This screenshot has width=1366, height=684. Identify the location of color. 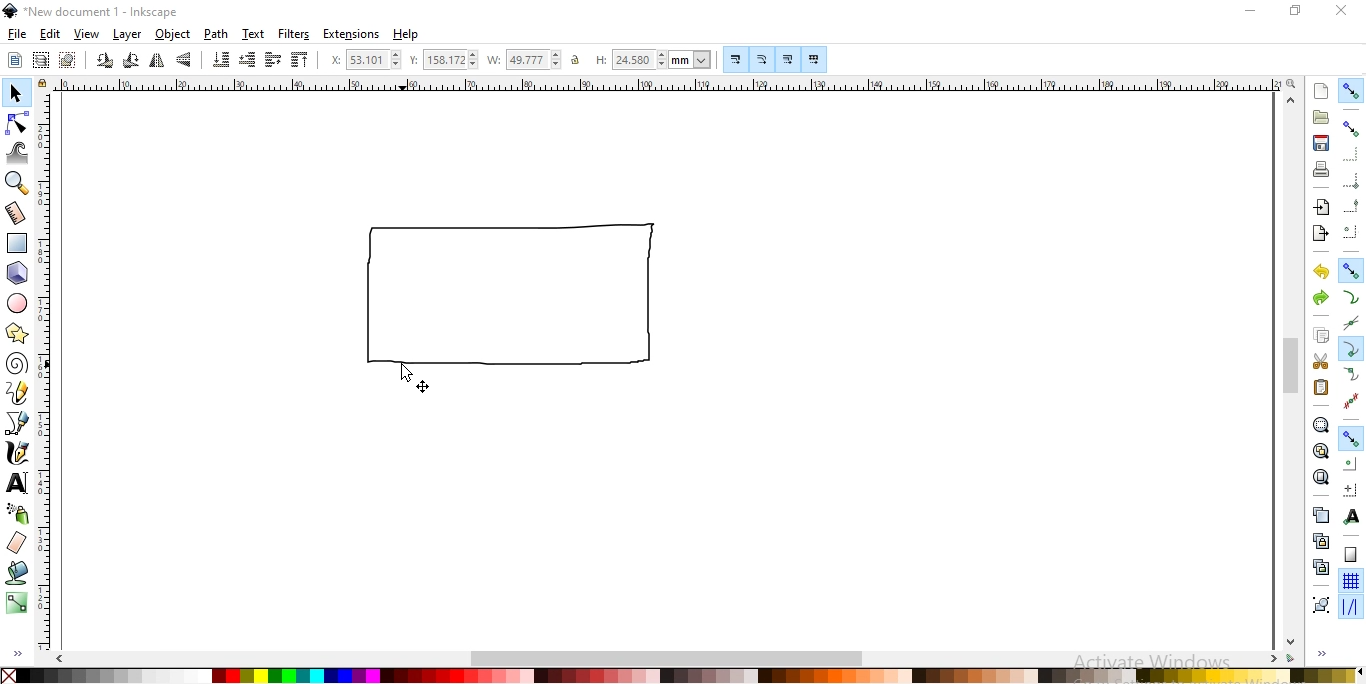
(679, 674).